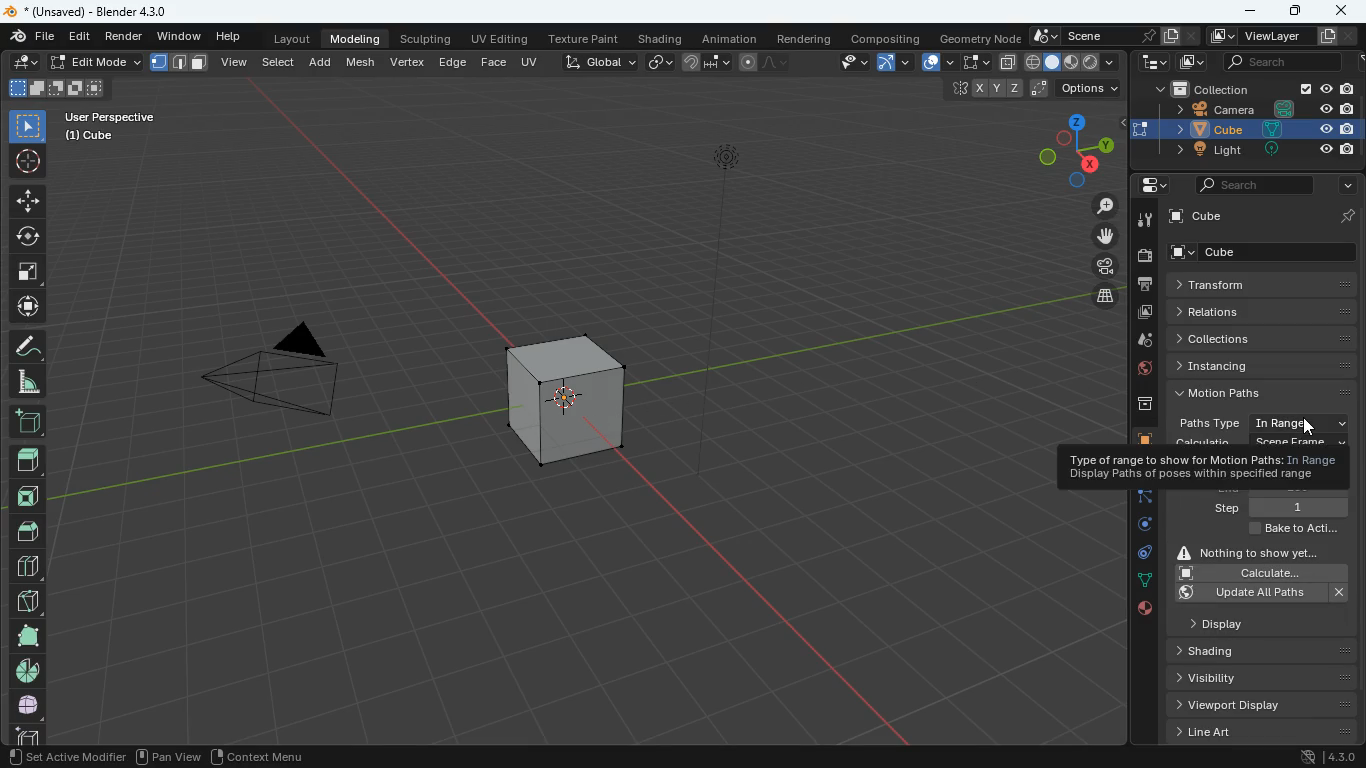 The width and height of the screenshot is (1366, 768). What do you see at coordinates (1263, 285) in the screenshot?
I see `transform` at bounding box center [1263, 285].